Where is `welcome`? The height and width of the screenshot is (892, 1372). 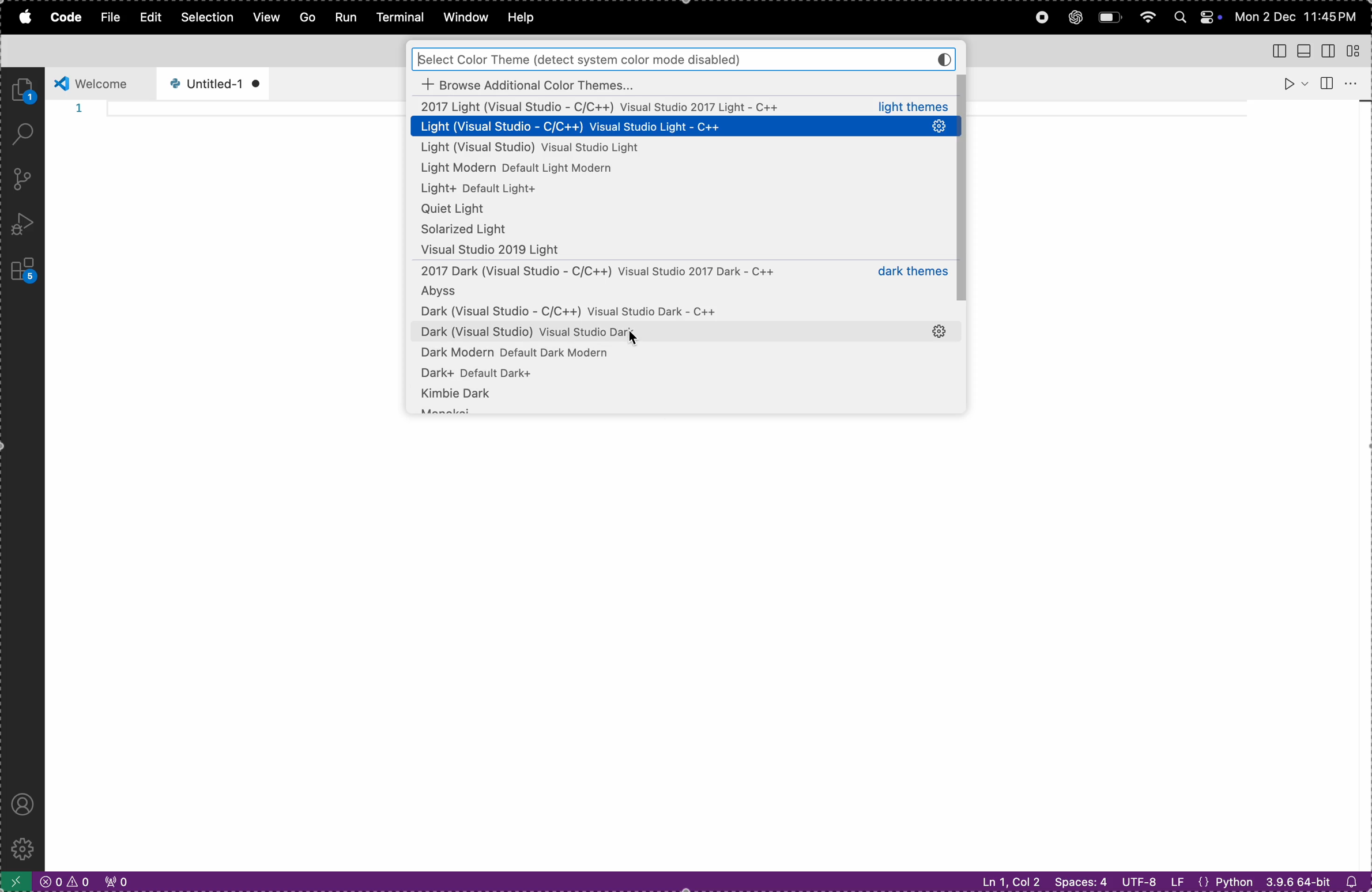 welcome is located at coordinates (99, 82).